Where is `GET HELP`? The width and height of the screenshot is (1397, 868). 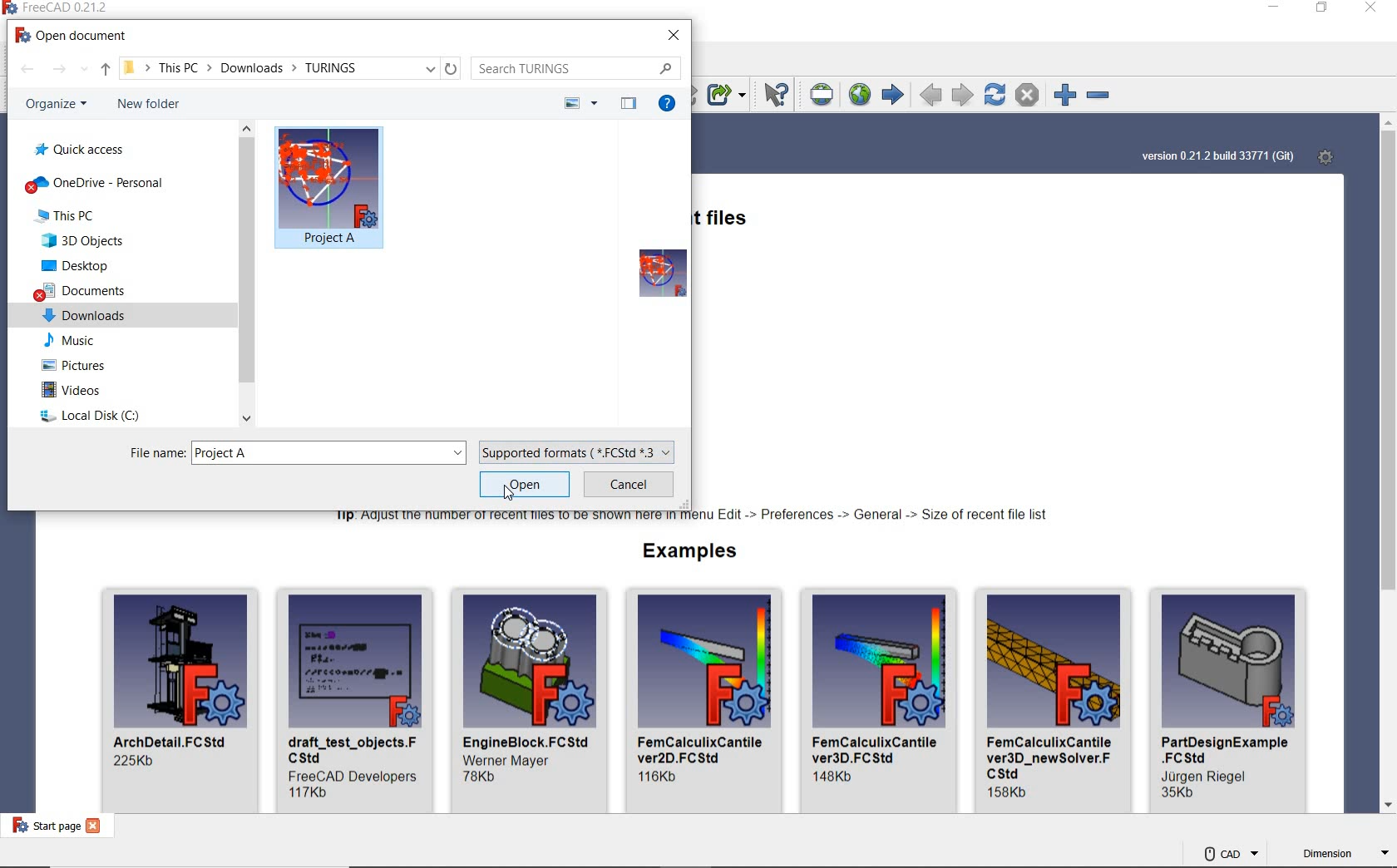
GET HELP is located at coordinates (671, 104).